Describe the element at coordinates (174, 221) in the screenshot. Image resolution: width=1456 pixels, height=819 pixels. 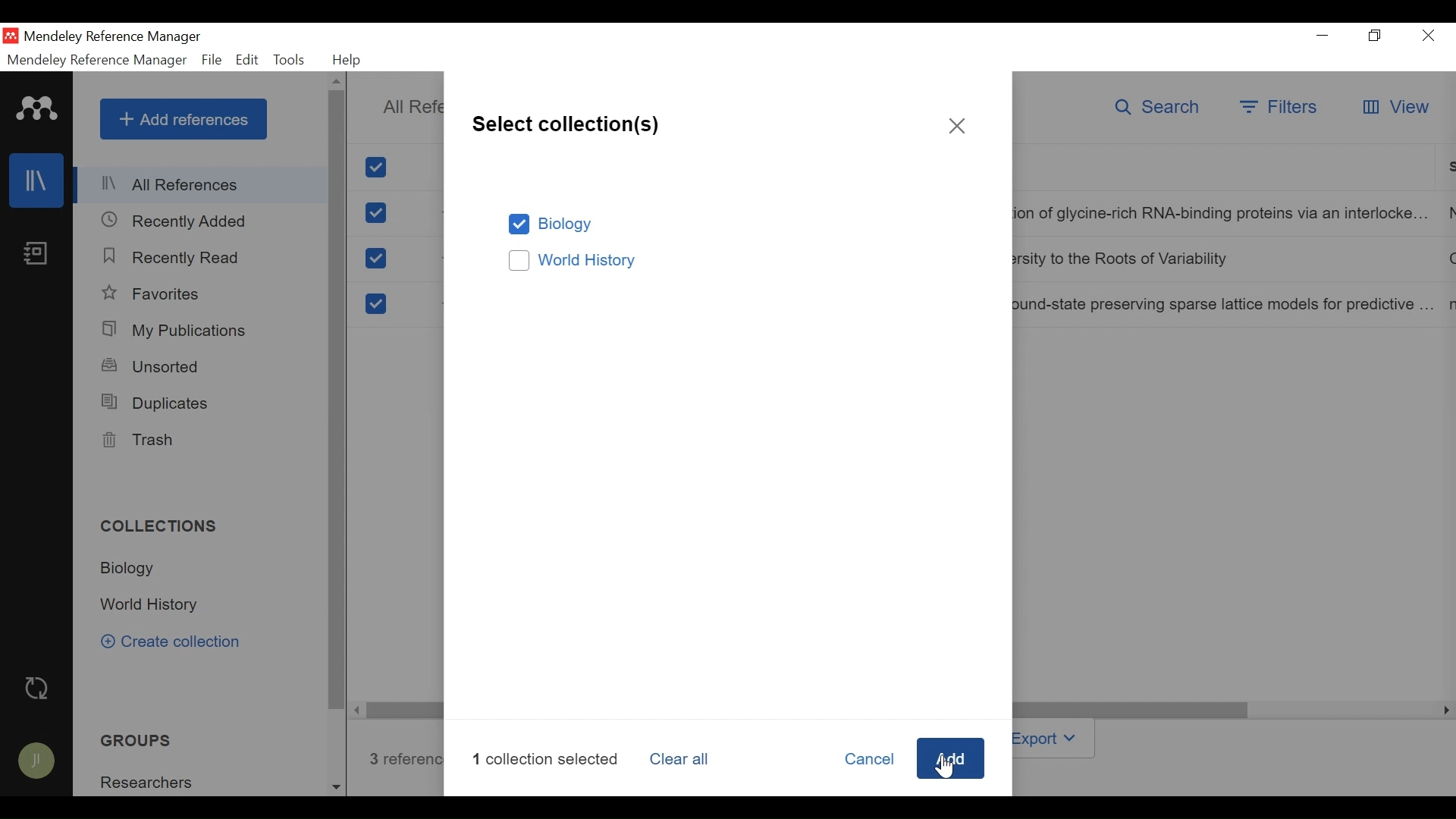
I see `Recently Added` at that location.